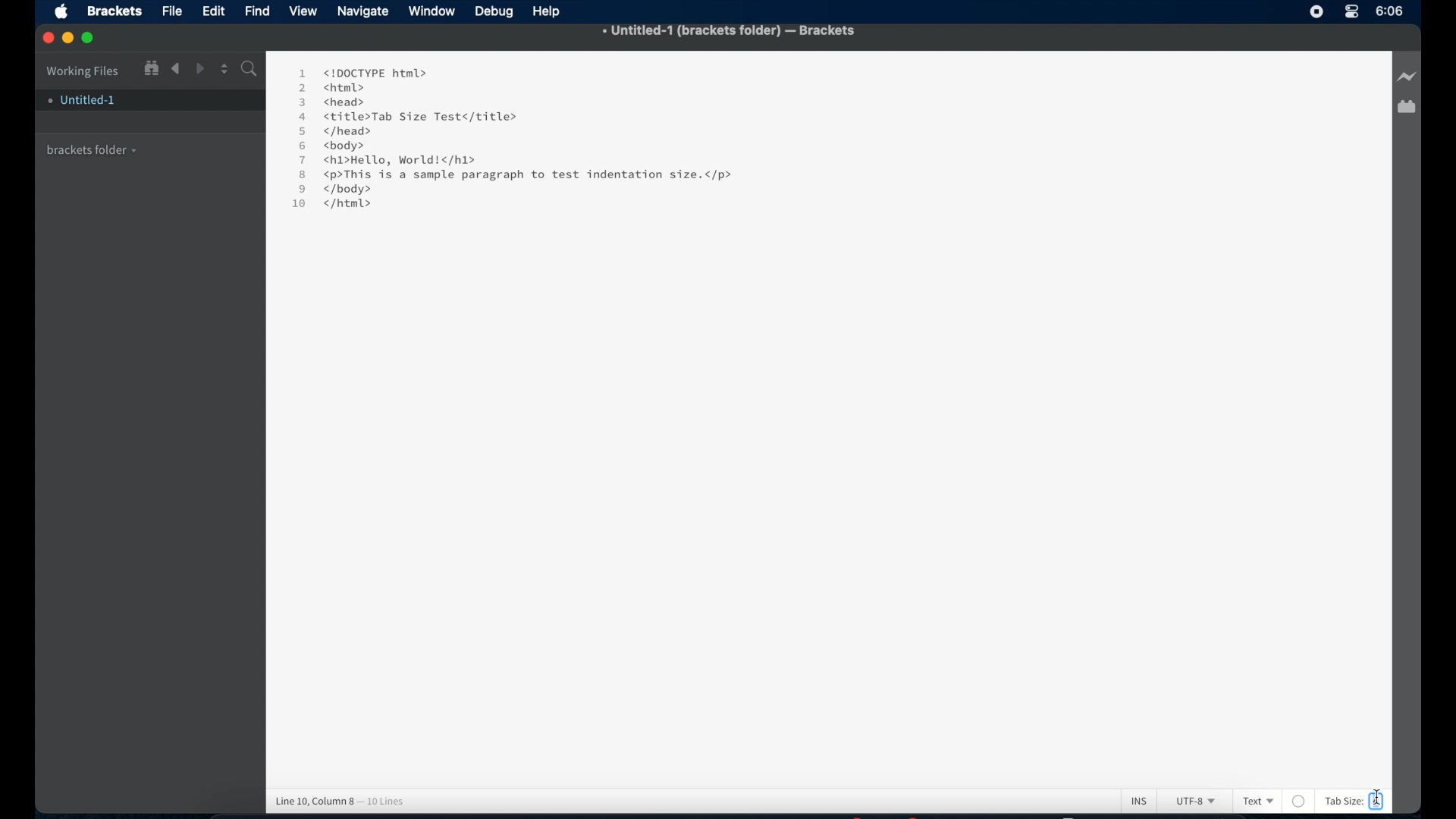 The width and height of the screenshot is (1456, 819). Describe the element at coordinates (331, 87) in the screenshot. I see `2 <html>` at that location.